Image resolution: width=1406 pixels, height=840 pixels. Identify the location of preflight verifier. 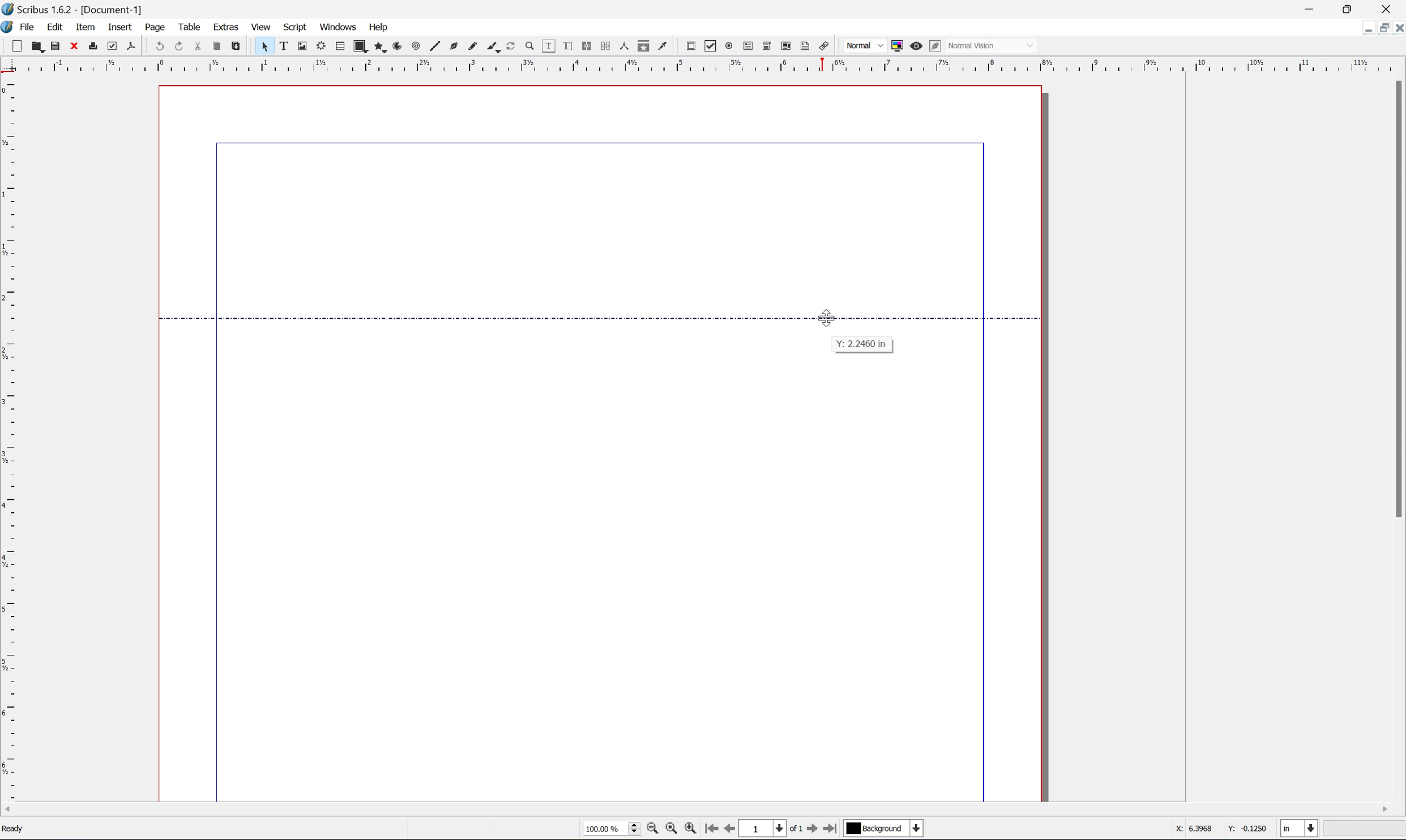
(112, 46).